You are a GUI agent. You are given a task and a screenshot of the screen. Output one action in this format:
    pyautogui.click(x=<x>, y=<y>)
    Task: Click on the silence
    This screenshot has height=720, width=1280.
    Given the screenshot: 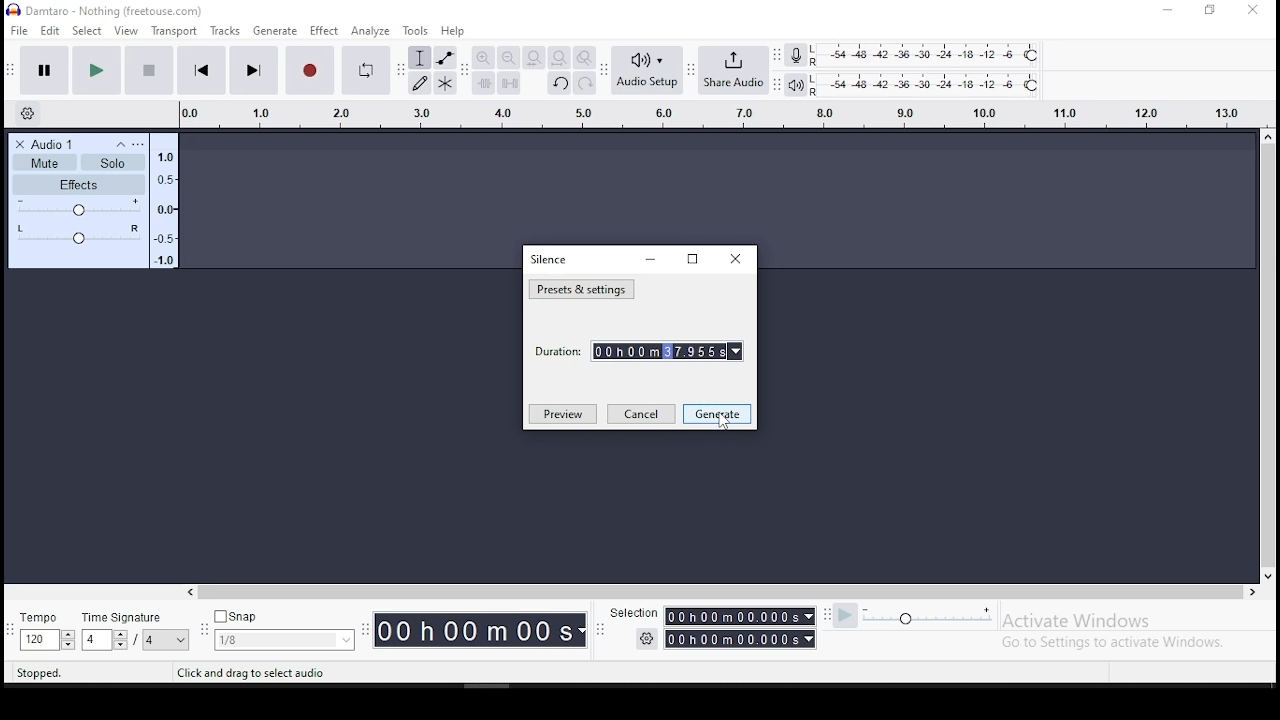 What is the action you would take?
    pyautogui.click(x=550, y=259)
    